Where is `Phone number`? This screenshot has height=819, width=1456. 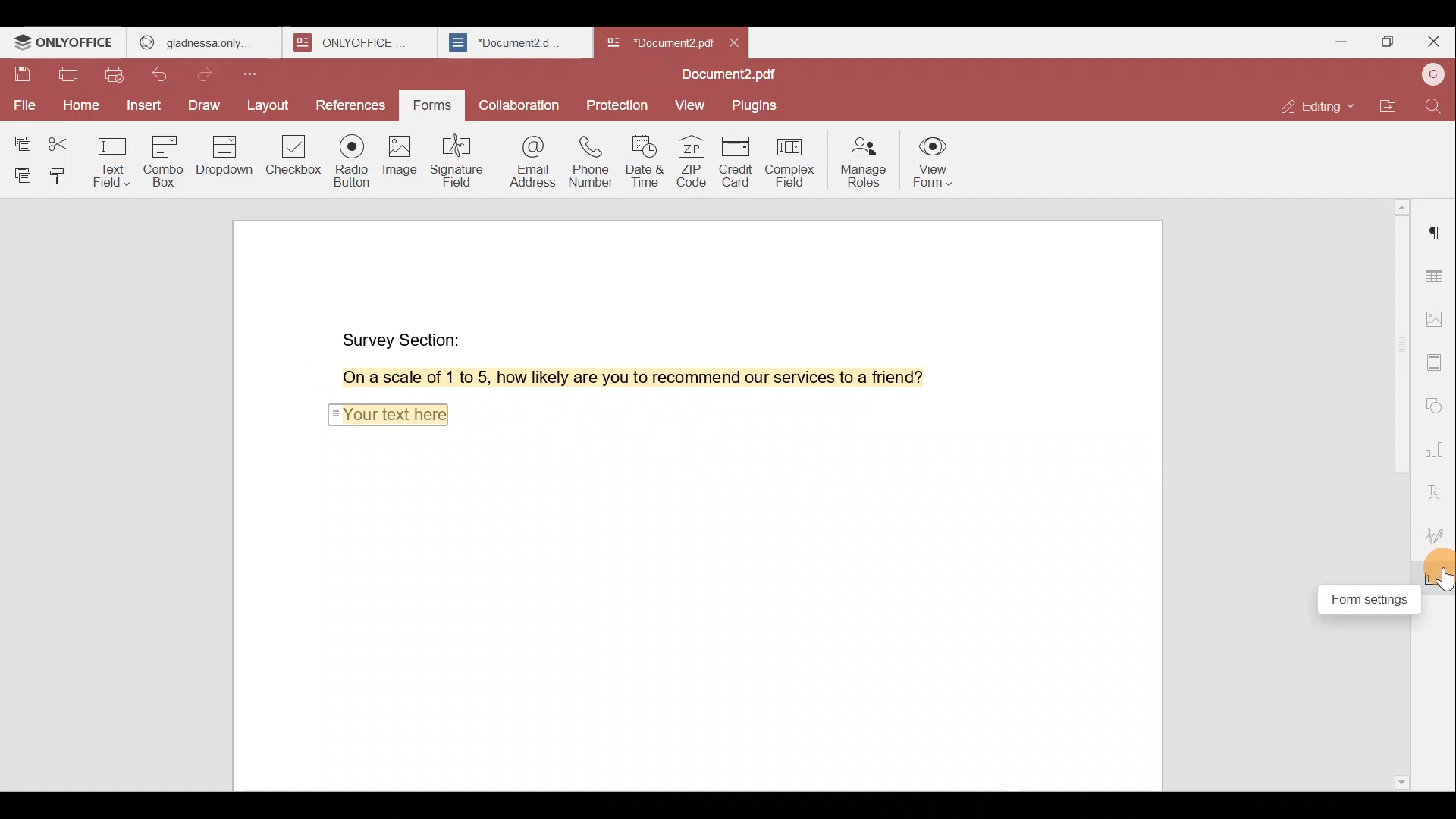
Phone number is located at coordinates (588, 156).